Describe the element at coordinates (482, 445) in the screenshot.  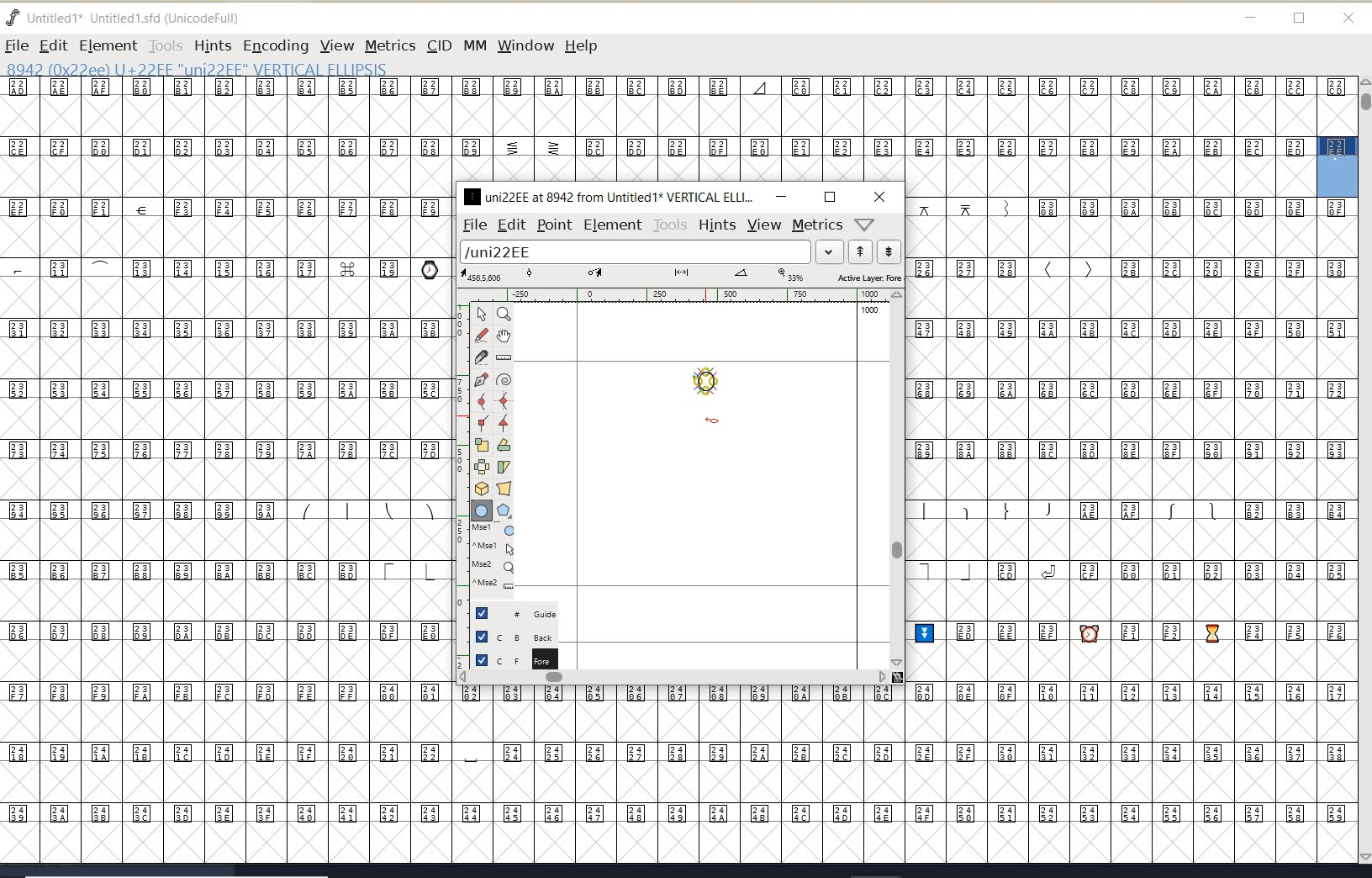
I see `scale the selection` at that location.